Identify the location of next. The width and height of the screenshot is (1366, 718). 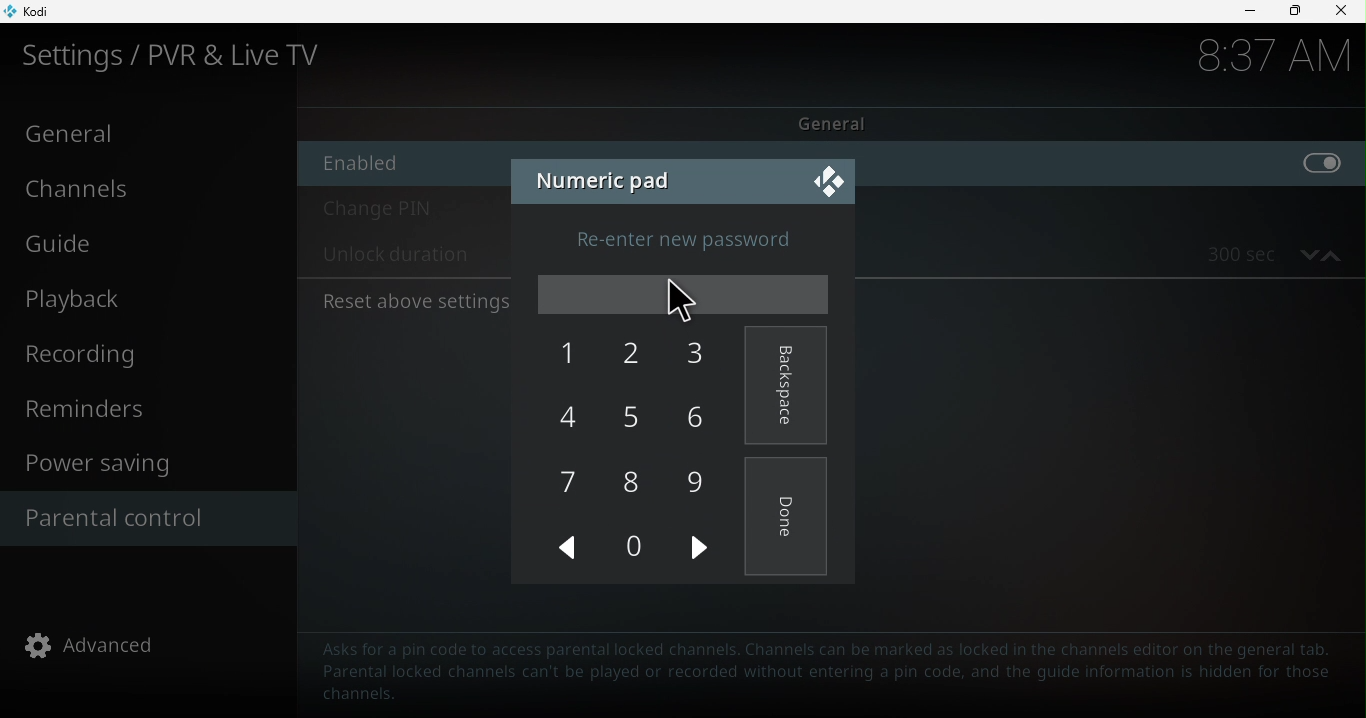
(701, 545).